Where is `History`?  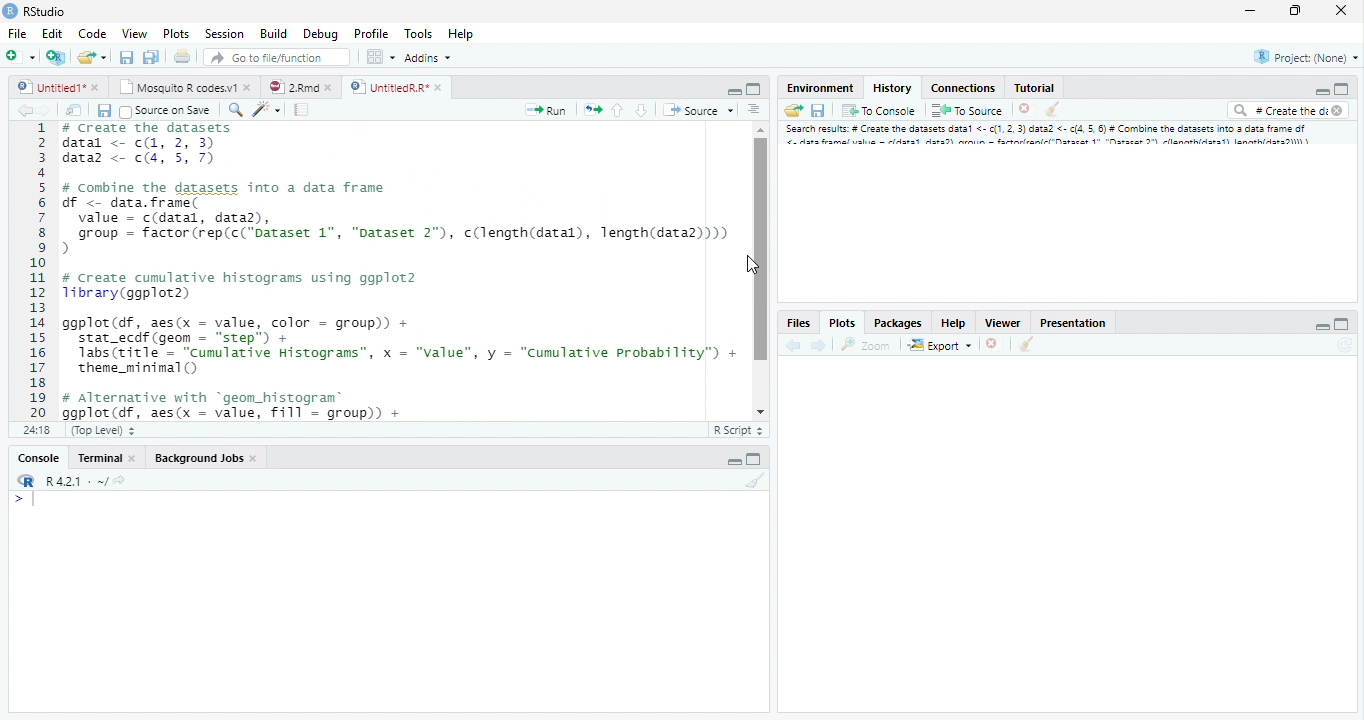 History is located at coordinates (892, 87).